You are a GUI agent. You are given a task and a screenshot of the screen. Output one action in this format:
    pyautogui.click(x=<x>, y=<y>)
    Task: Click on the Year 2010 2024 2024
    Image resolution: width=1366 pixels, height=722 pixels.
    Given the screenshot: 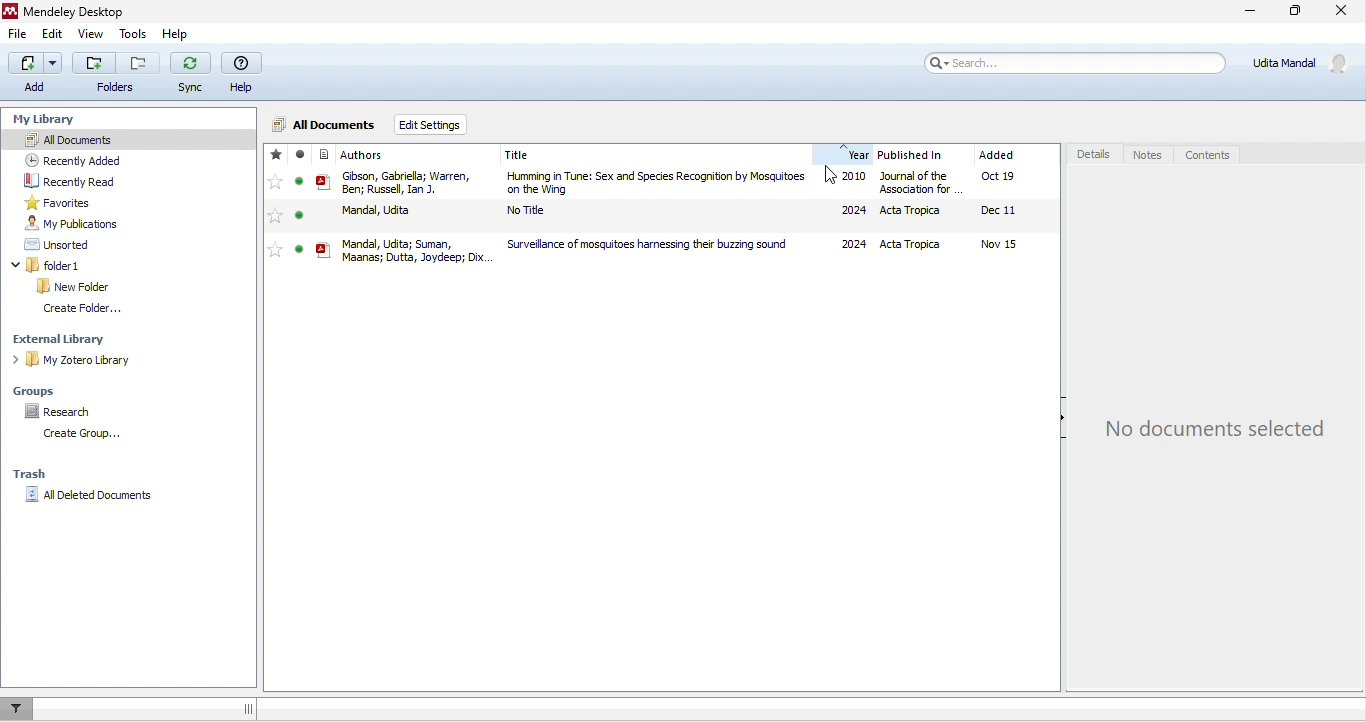 What is the action you would take?
    pyautogui.click(x=841, y=196)
    